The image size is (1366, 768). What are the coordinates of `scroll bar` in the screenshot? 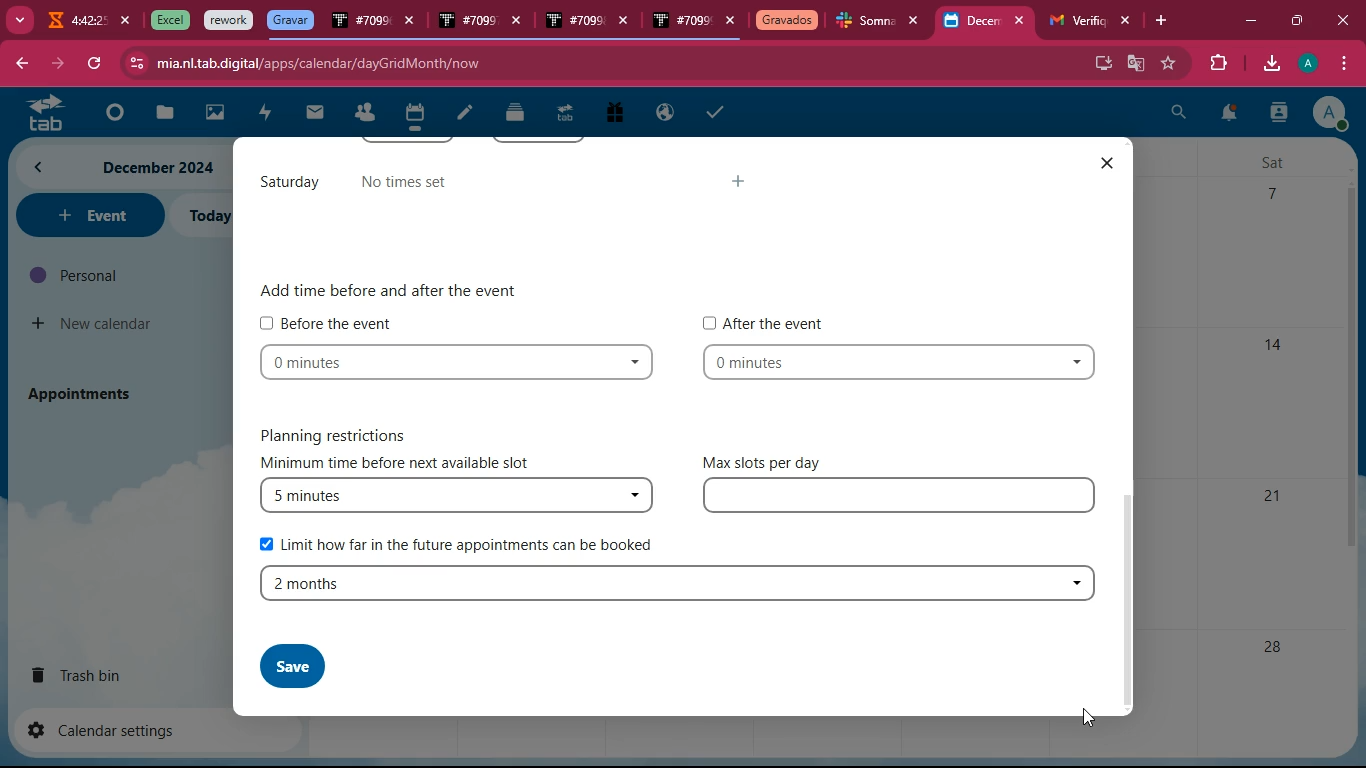 It's located at (1129, 240).